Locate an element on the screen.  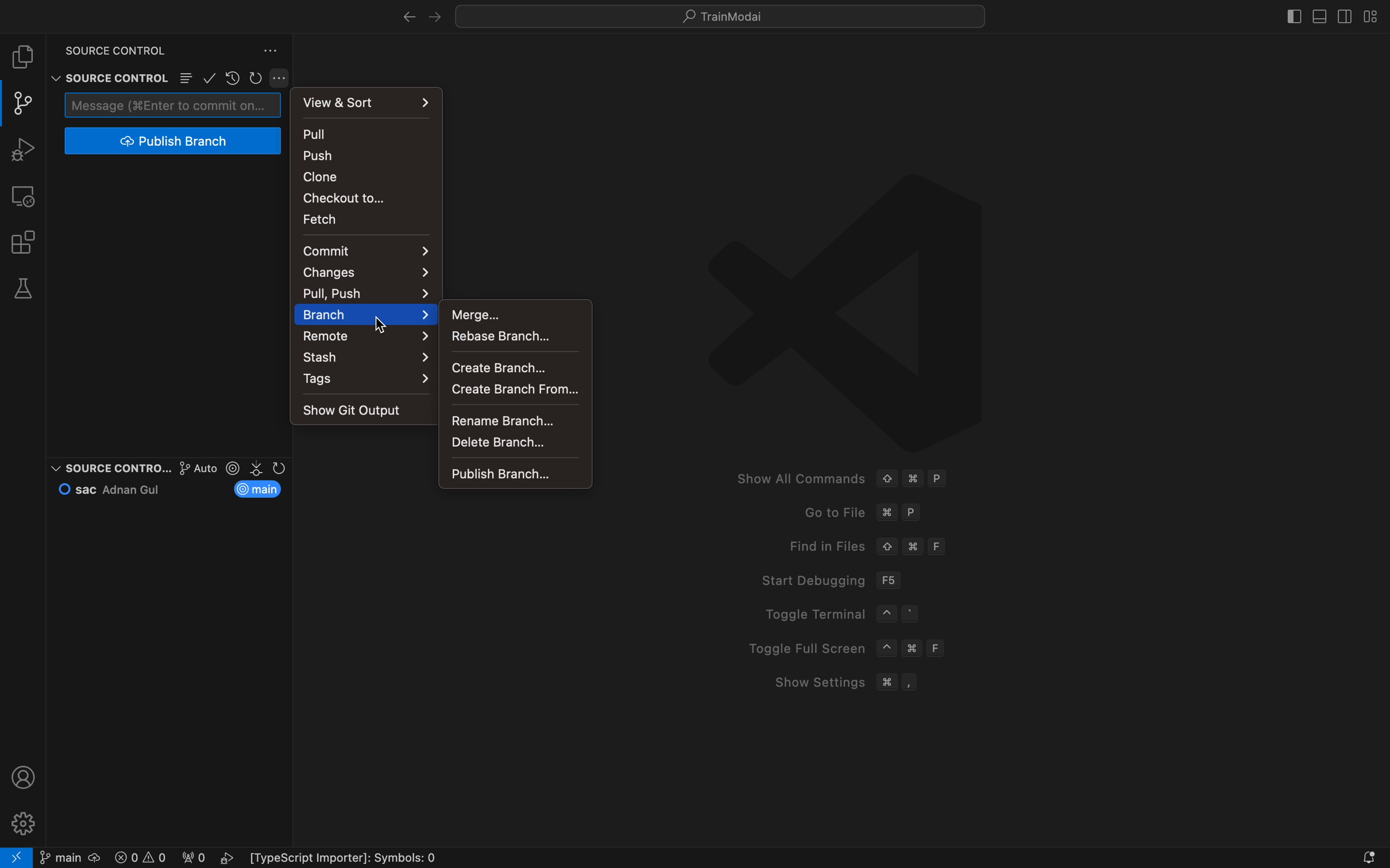
toggle bar is located at coordinates (1289, 14).